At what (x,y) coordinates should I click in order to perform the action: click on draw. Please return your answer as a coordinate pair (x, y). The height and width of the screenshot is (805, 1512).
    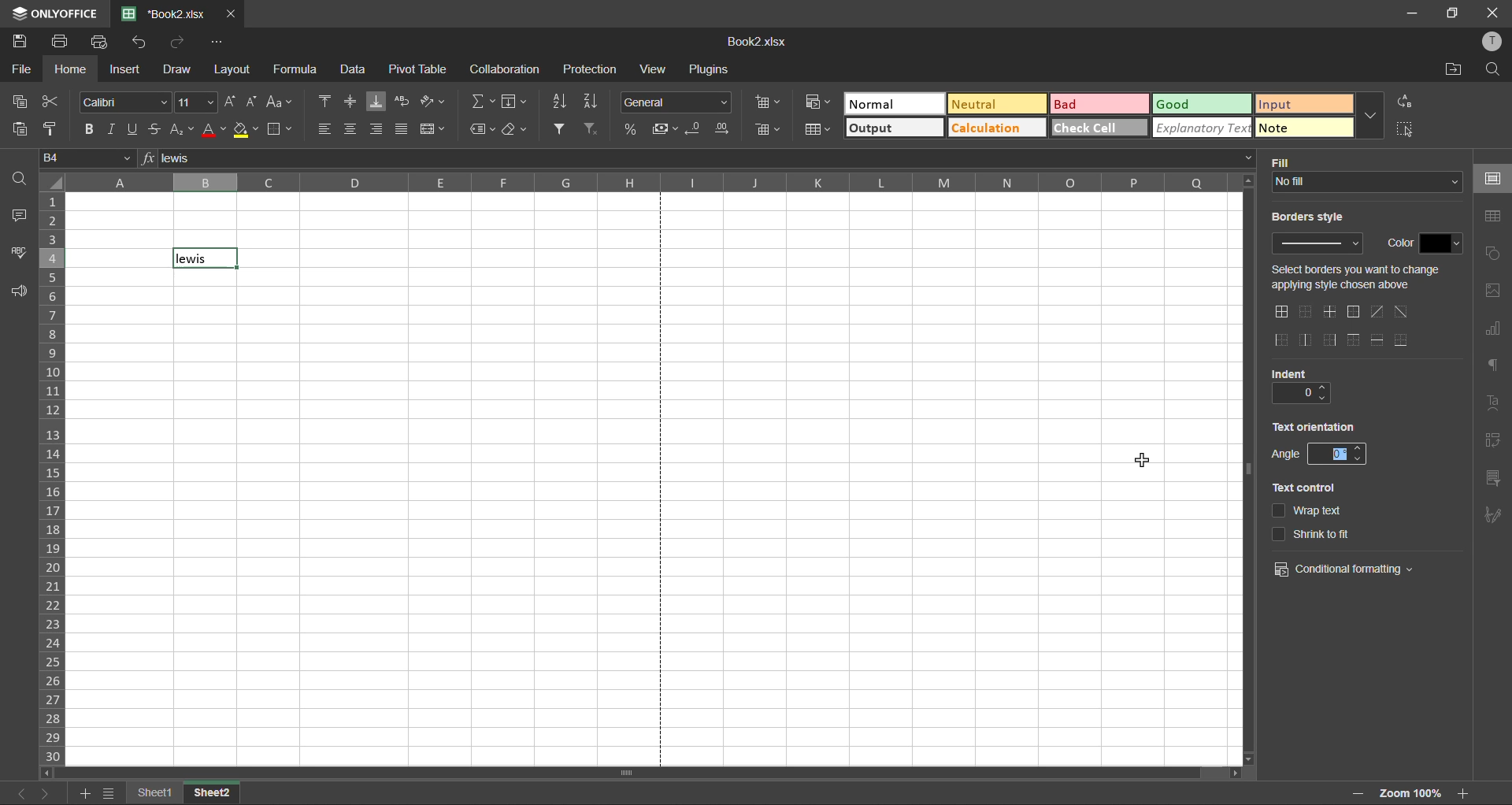
    Looking at the image, I should click on (179, 70).